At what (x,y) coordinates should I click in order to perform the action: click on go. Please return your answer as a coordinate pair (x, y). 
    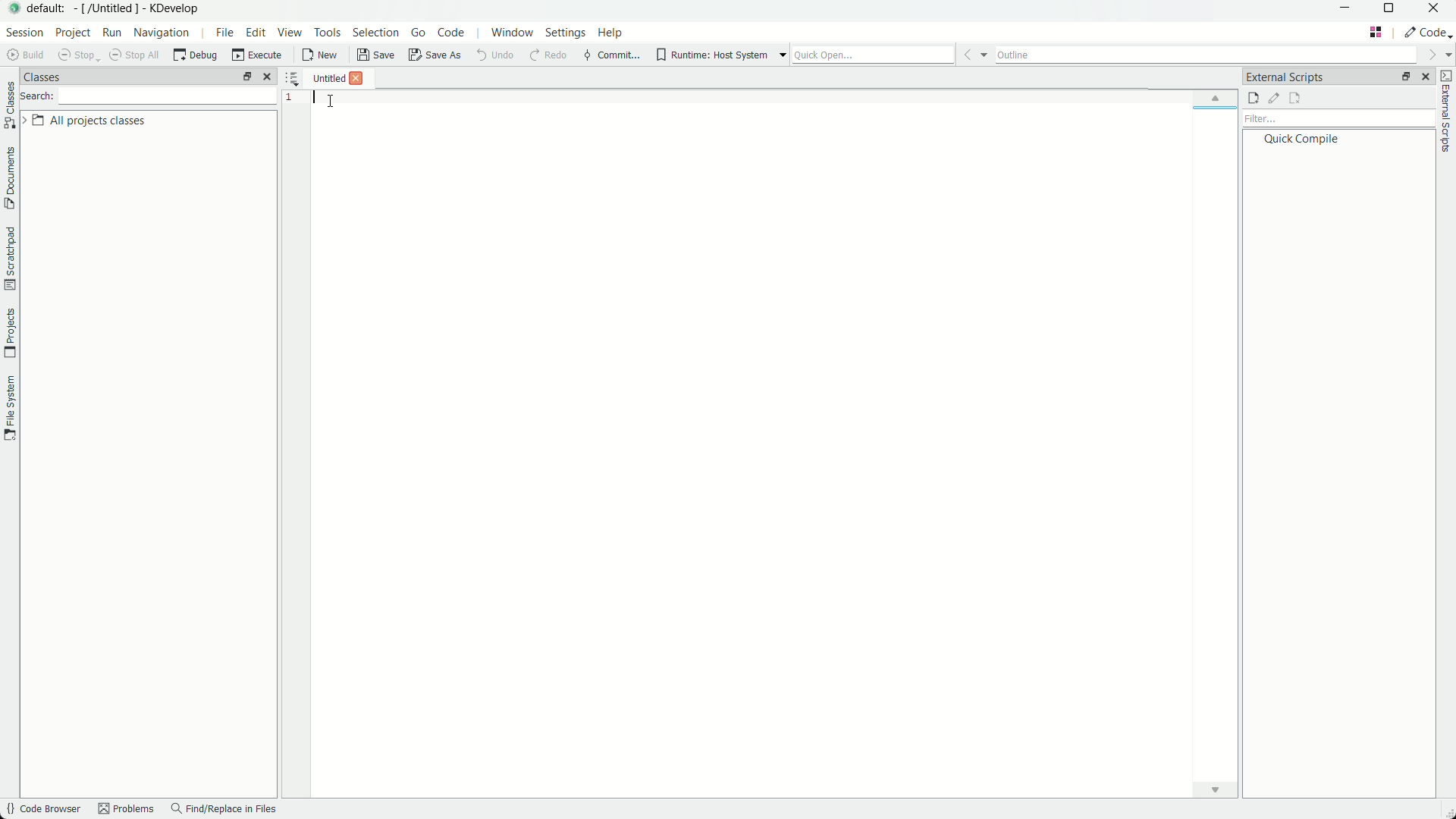
    Looking at the image, I should click on (417, 35).